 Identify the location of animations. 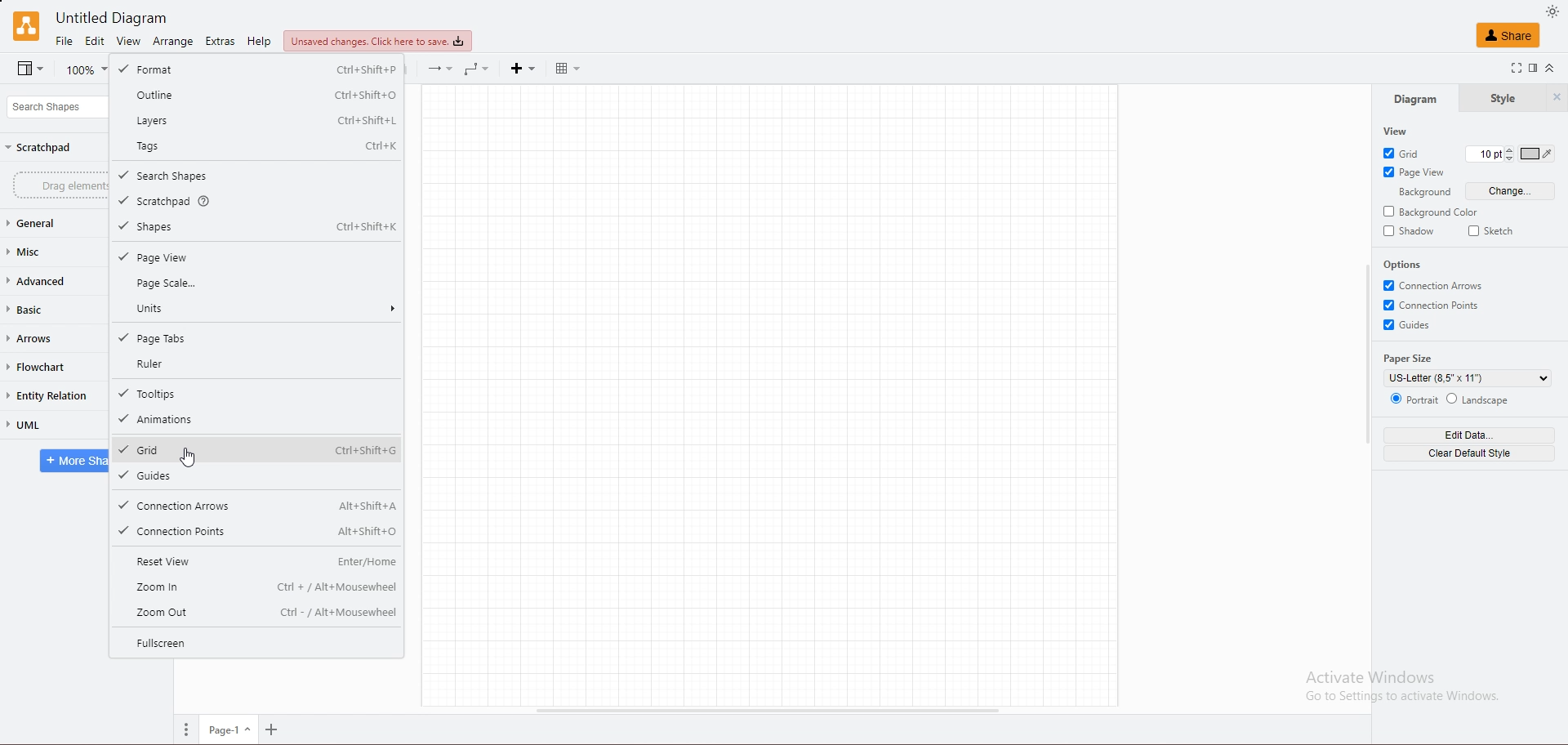
(257, 420).